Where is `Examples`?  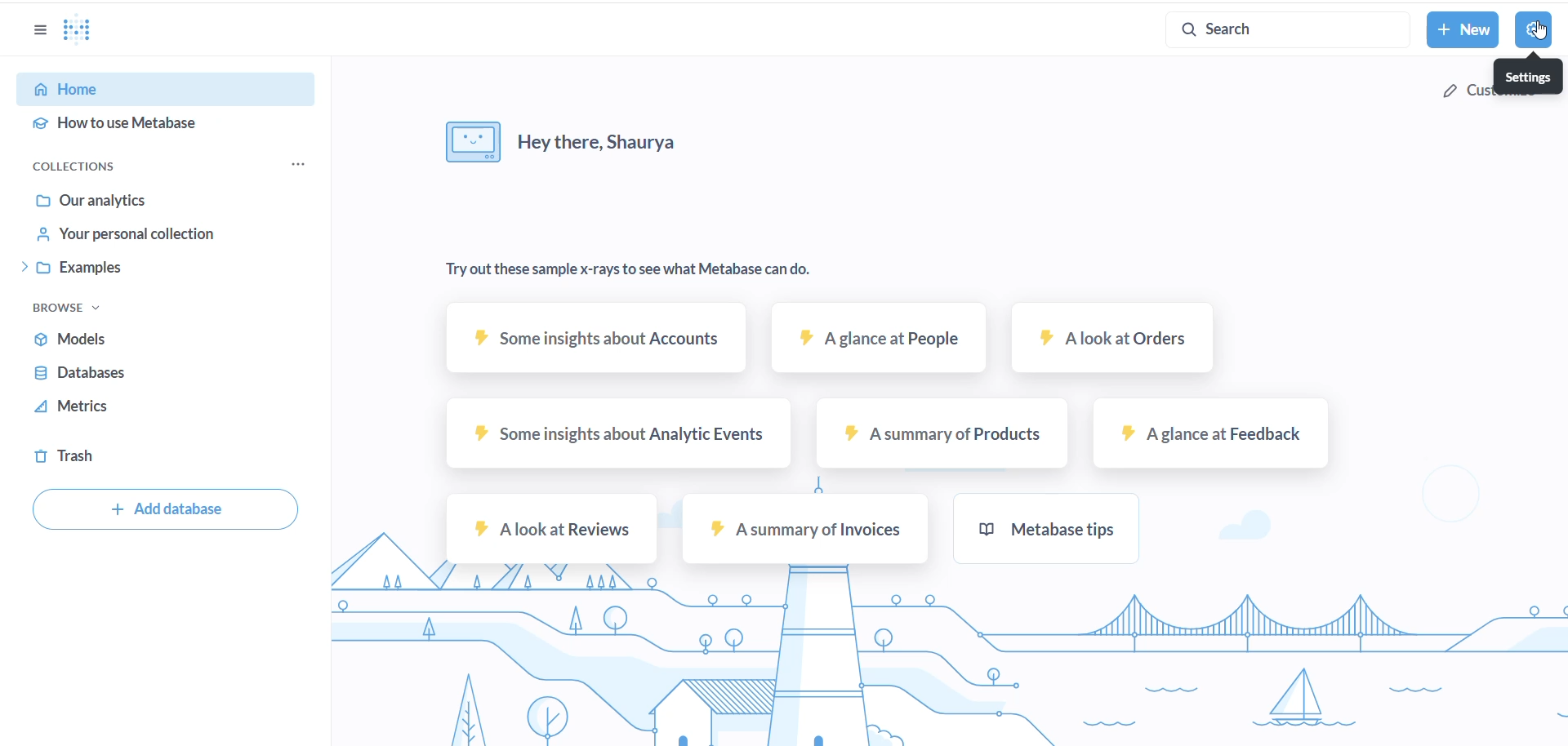
Examples is located at coordinates (158, 269).